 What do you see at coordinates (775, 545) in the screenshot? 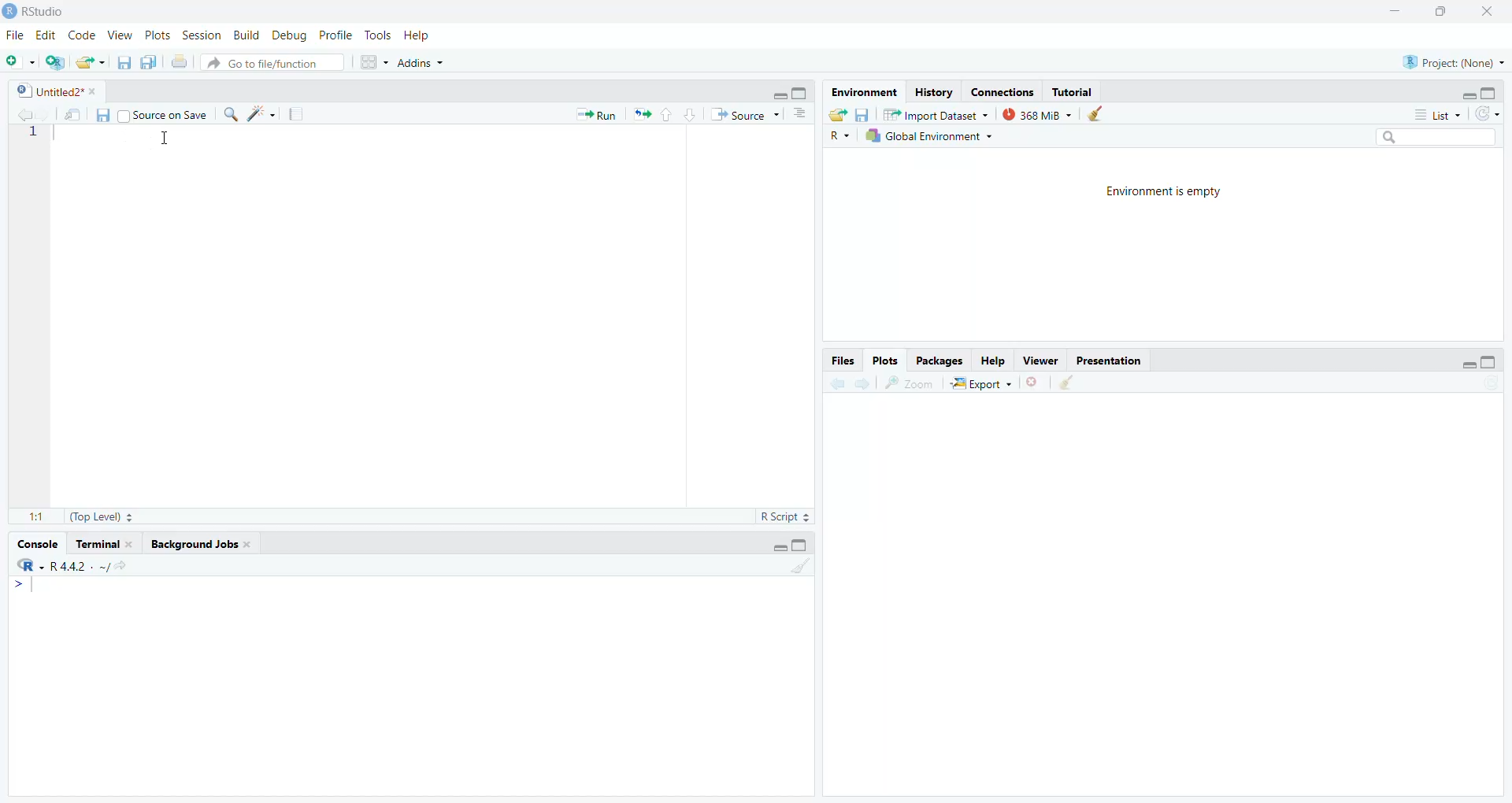
I see `minimise` at bounding box center [775, 545].